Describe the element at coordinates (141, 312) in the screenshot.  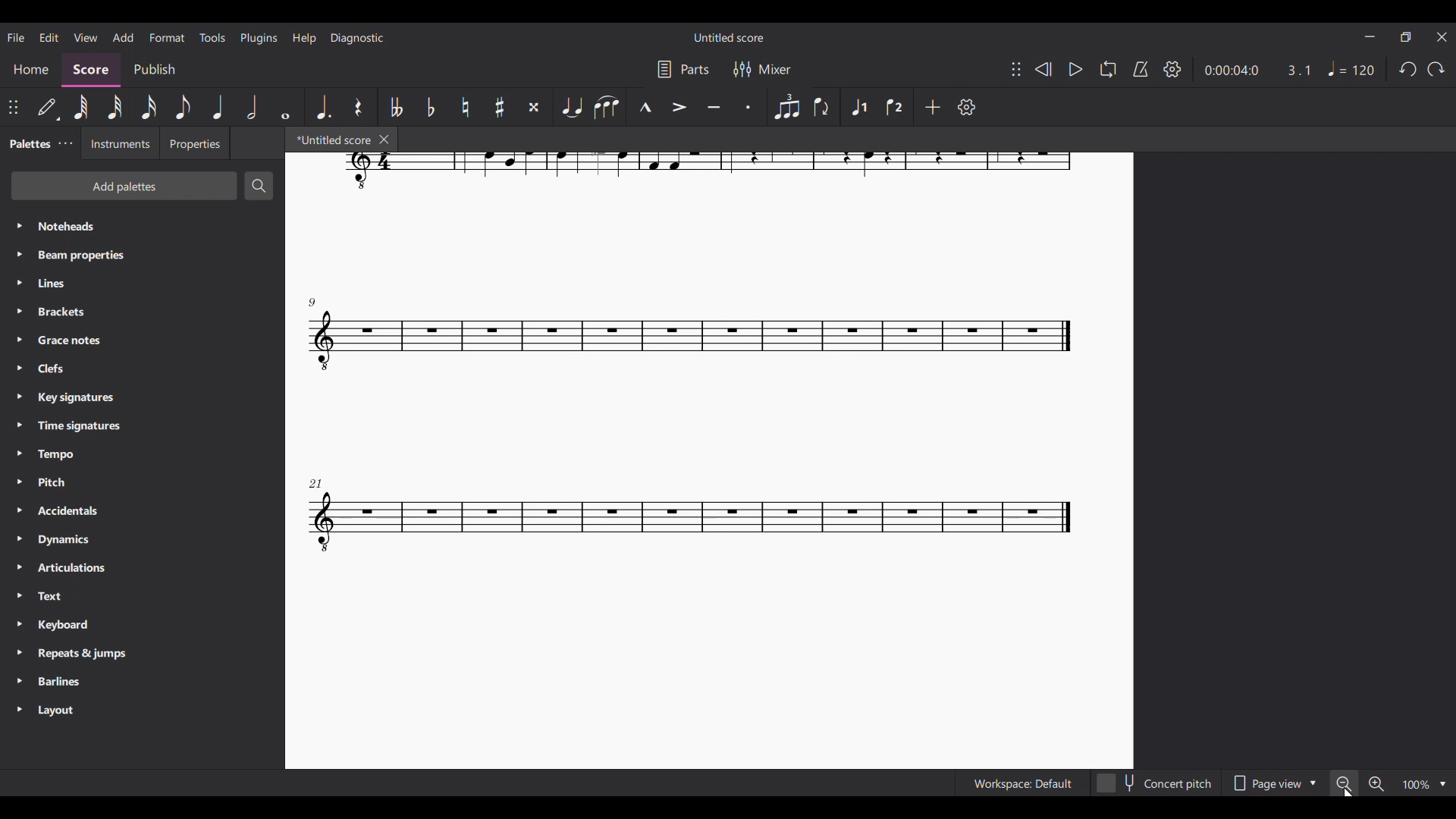
I see `Brackets` at that location.